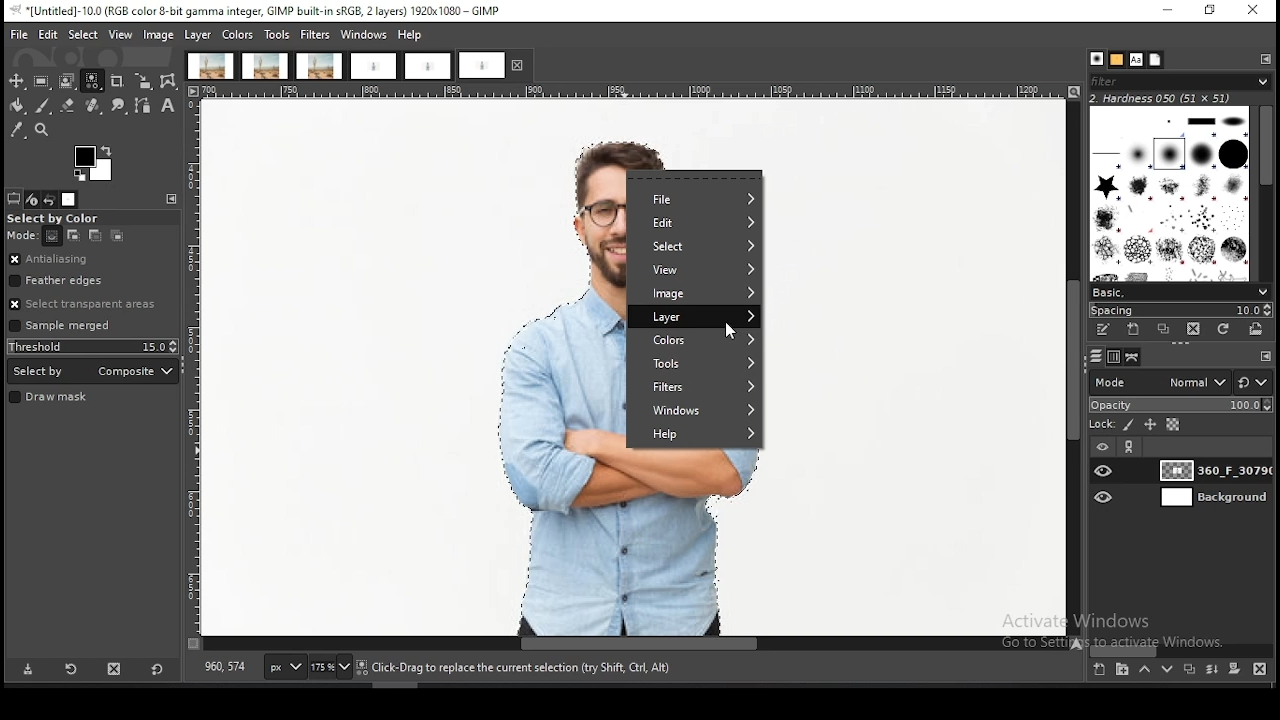  I want to click on move layer one step up, so click(1144, 669).